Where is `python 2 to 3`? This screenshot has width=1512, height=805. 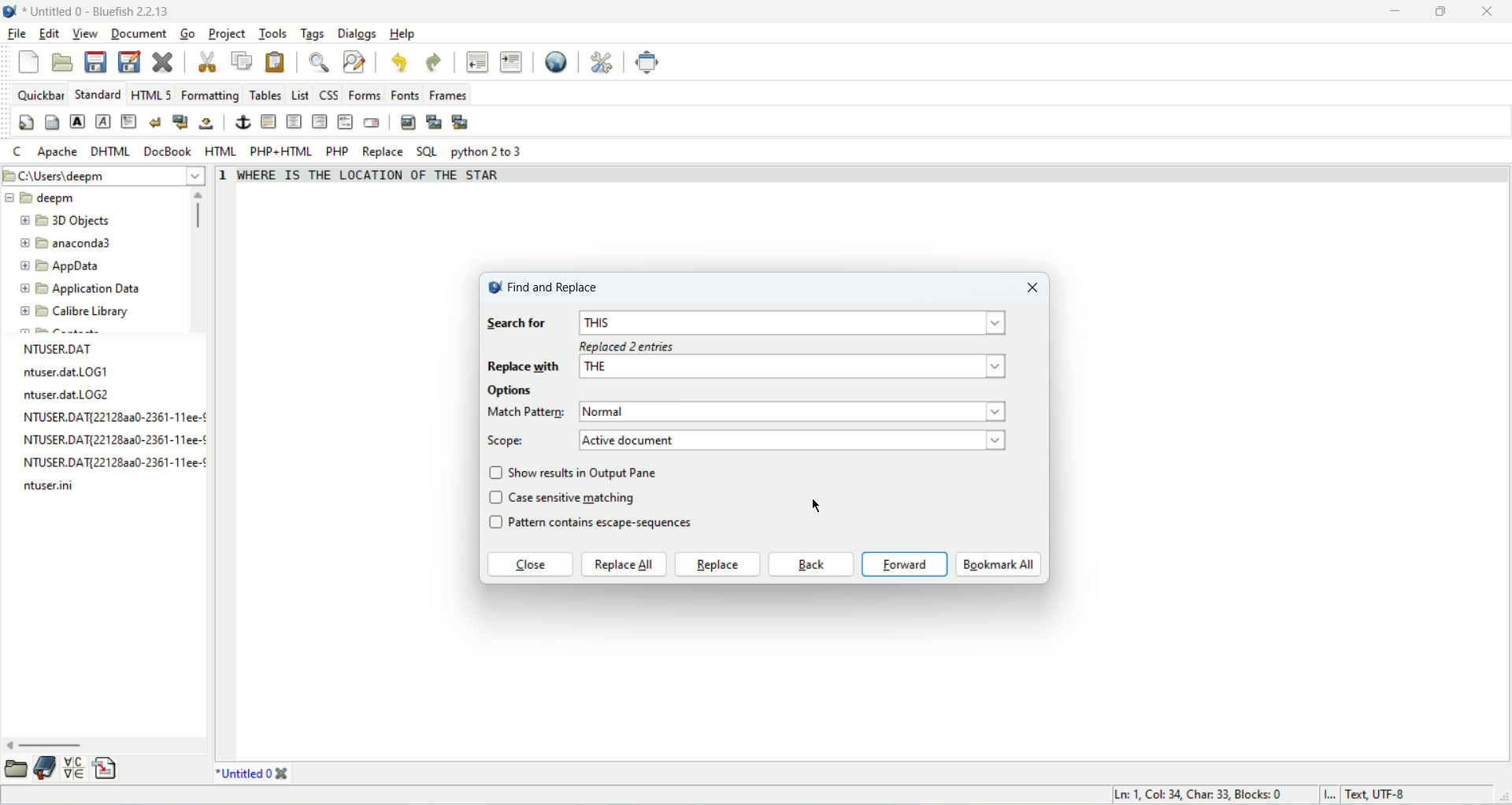
python 2 to 3 is located at coordinates (490, 152).